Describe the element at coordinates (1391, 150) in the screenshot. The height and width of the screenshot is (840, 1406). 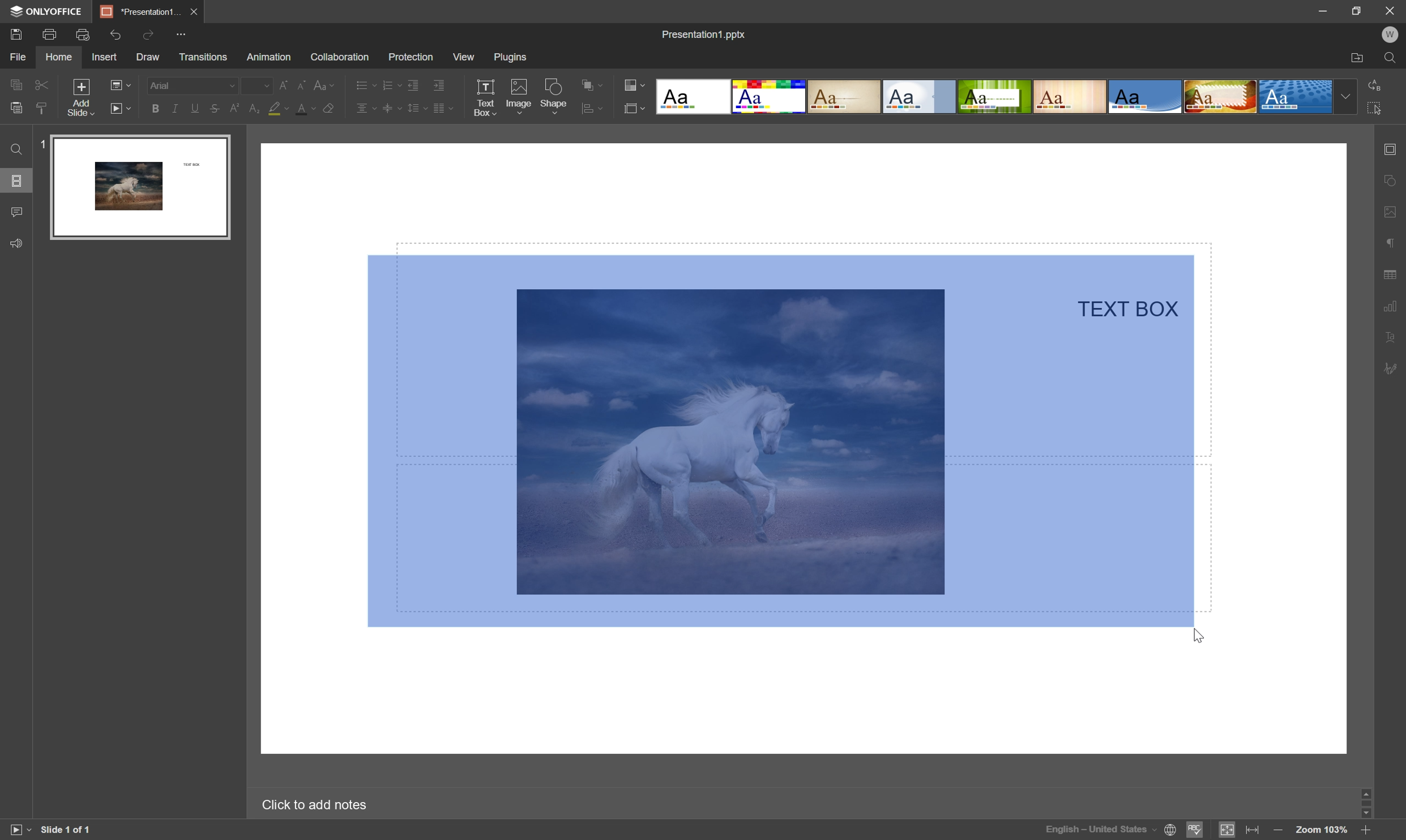
I see `slide settings` at that location.